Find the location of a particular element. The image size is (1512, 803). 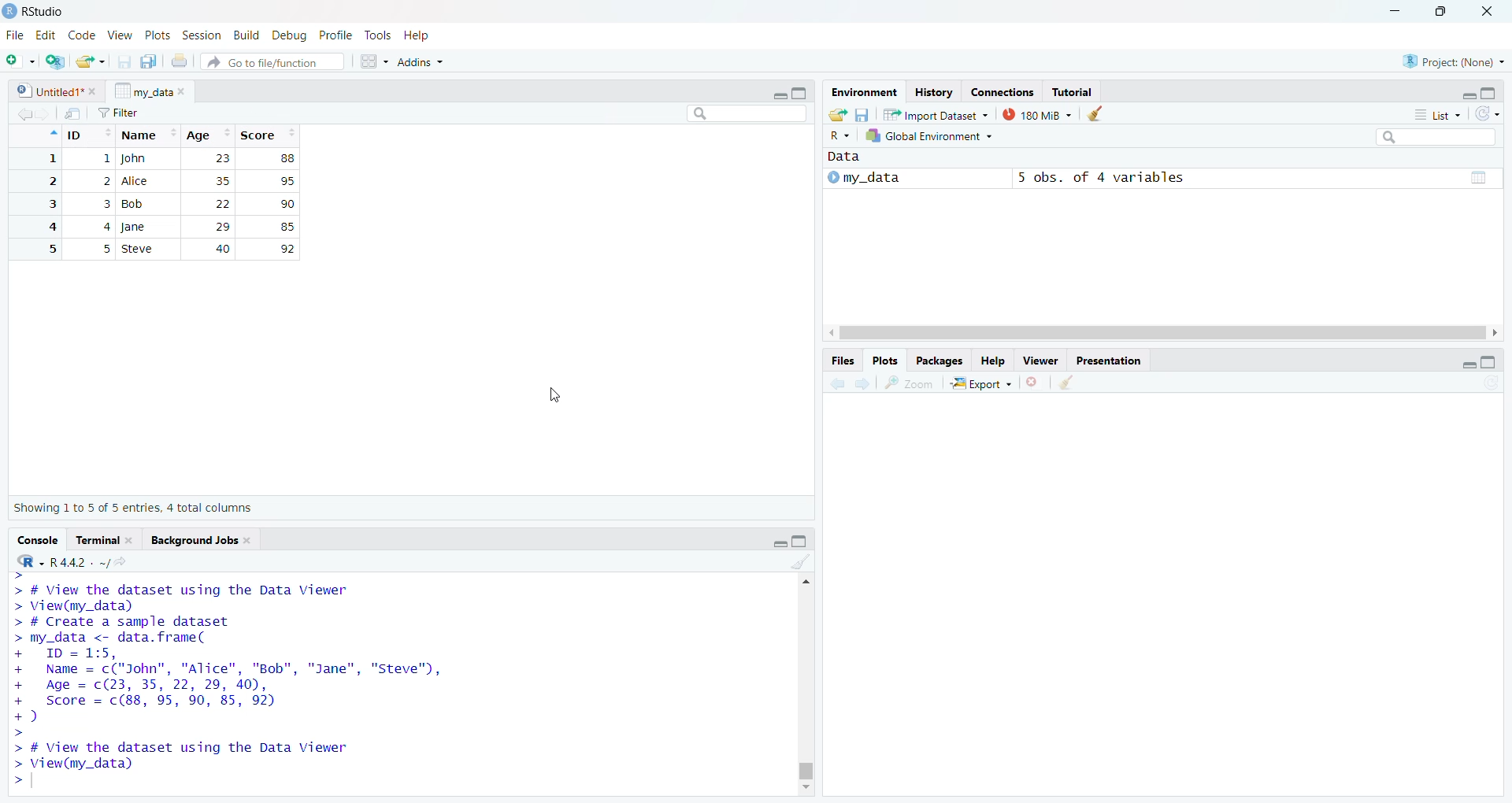

Go to file function is located at coordinates (272, 61).